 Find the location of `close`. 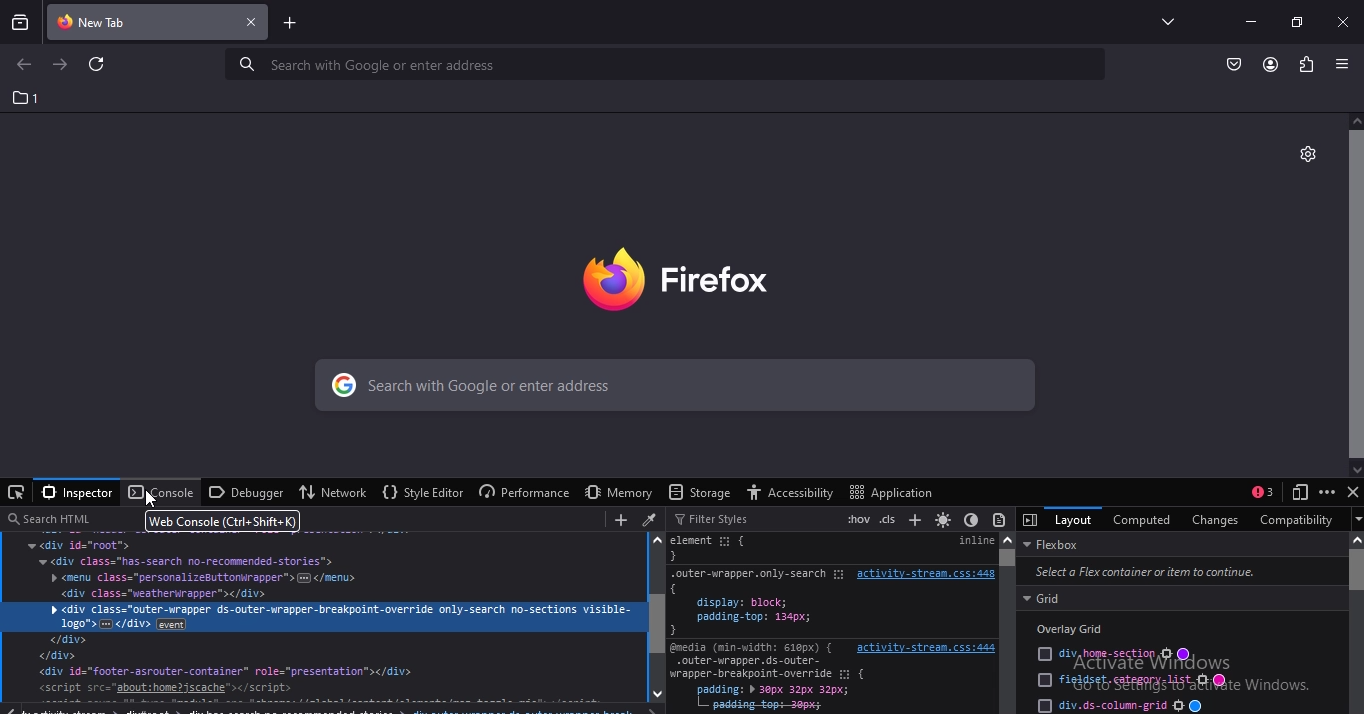

close is located at coordinates (1344, 21).